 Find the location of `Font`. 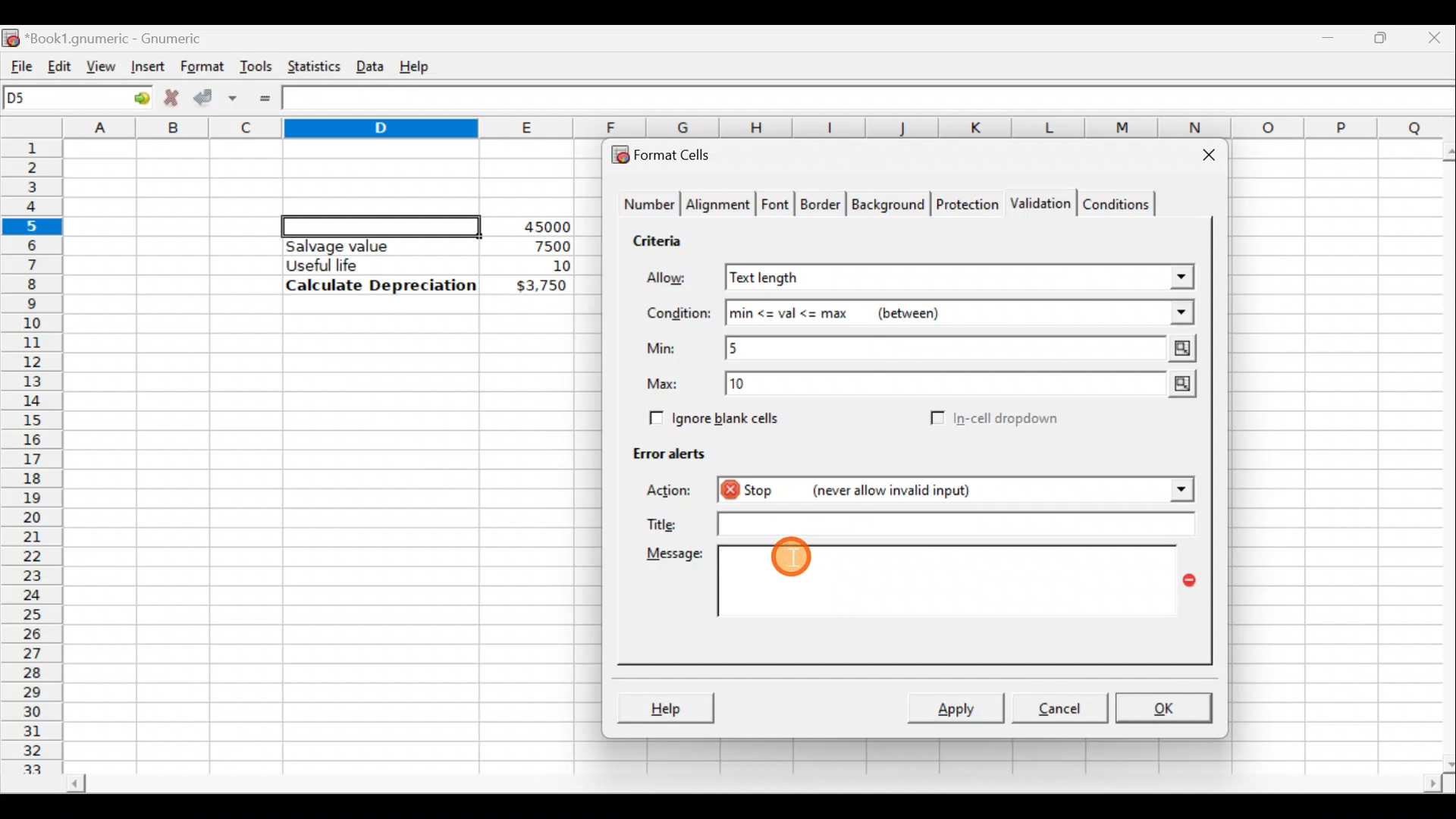

Font is located at coordinates (777, 206).